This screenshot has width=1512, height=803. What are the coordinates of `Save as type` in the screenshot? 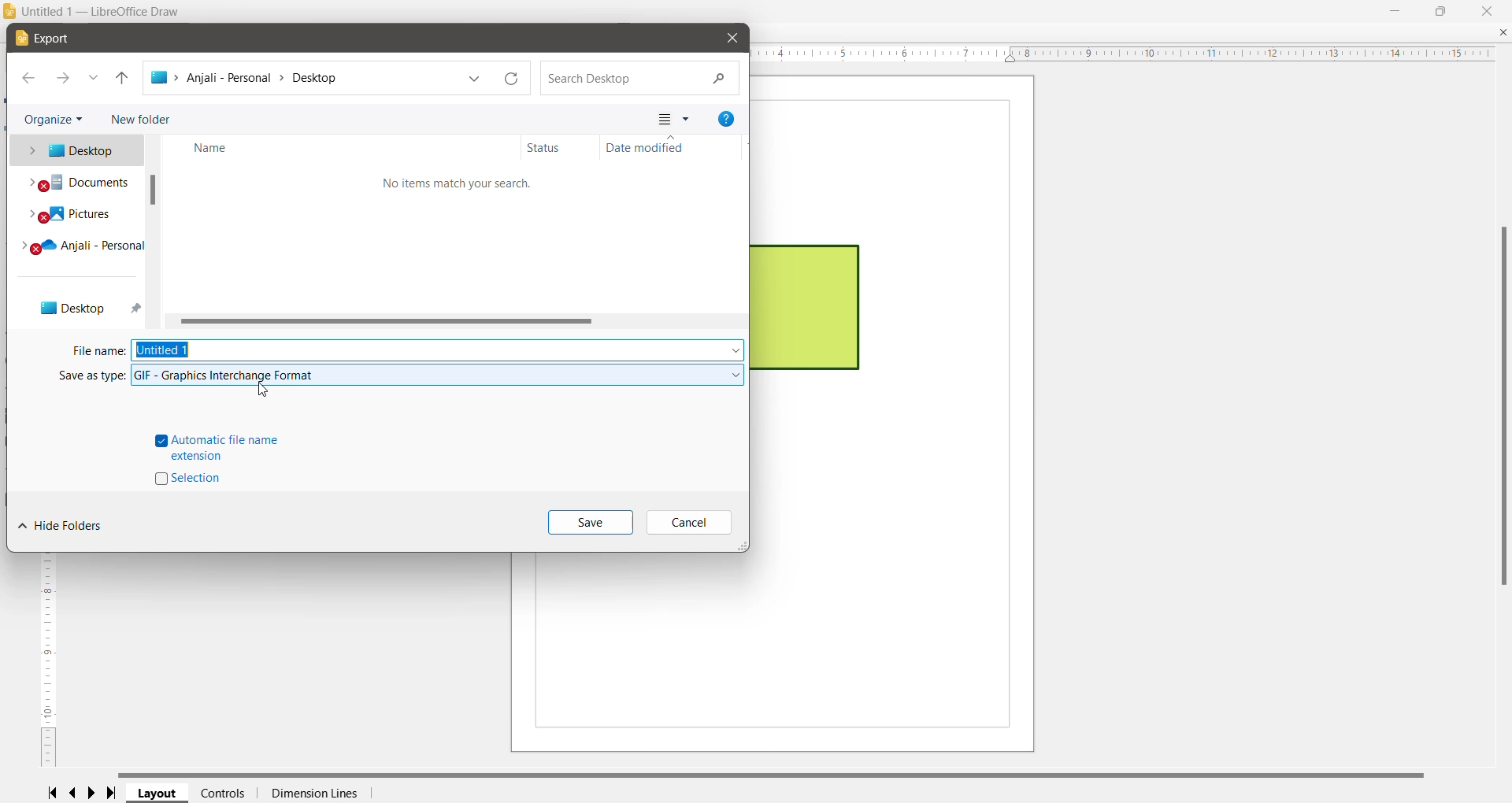 It's located at (92, 376).